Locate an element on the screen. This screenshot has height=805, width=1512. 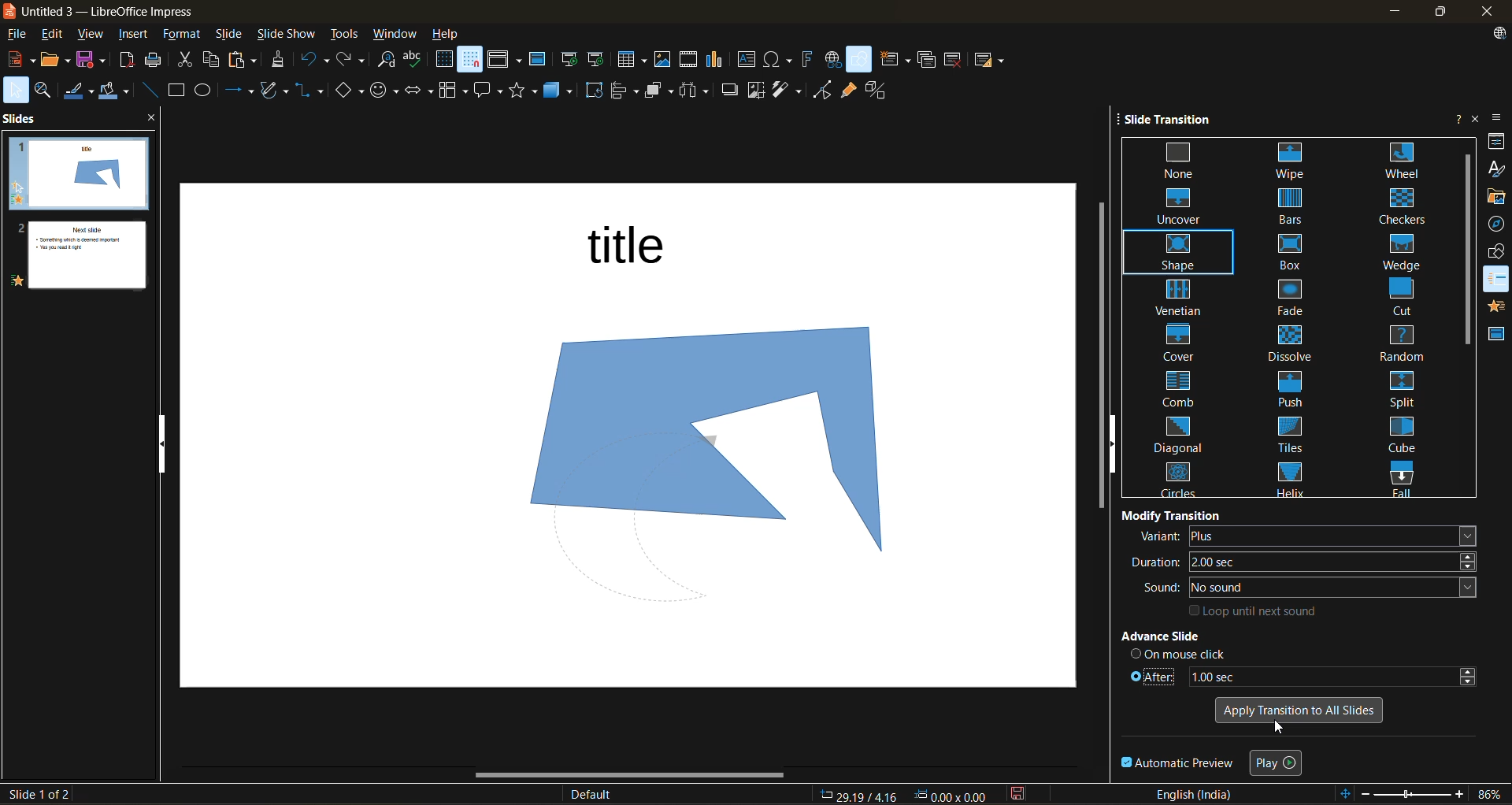
automatic preview is located at coordinates (1179, 764).